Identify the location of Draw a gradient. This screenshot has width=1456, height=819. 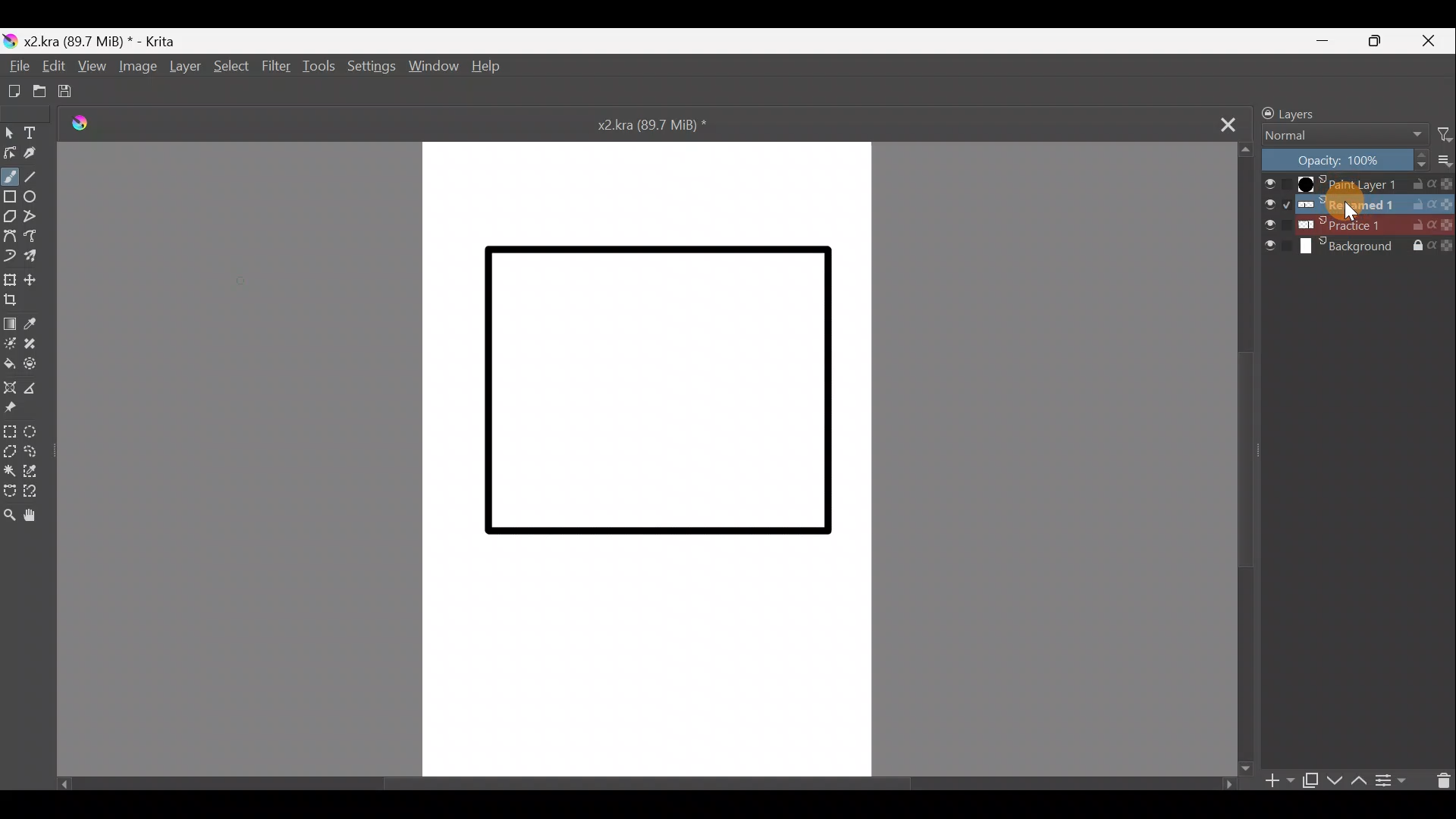
(11, 323).